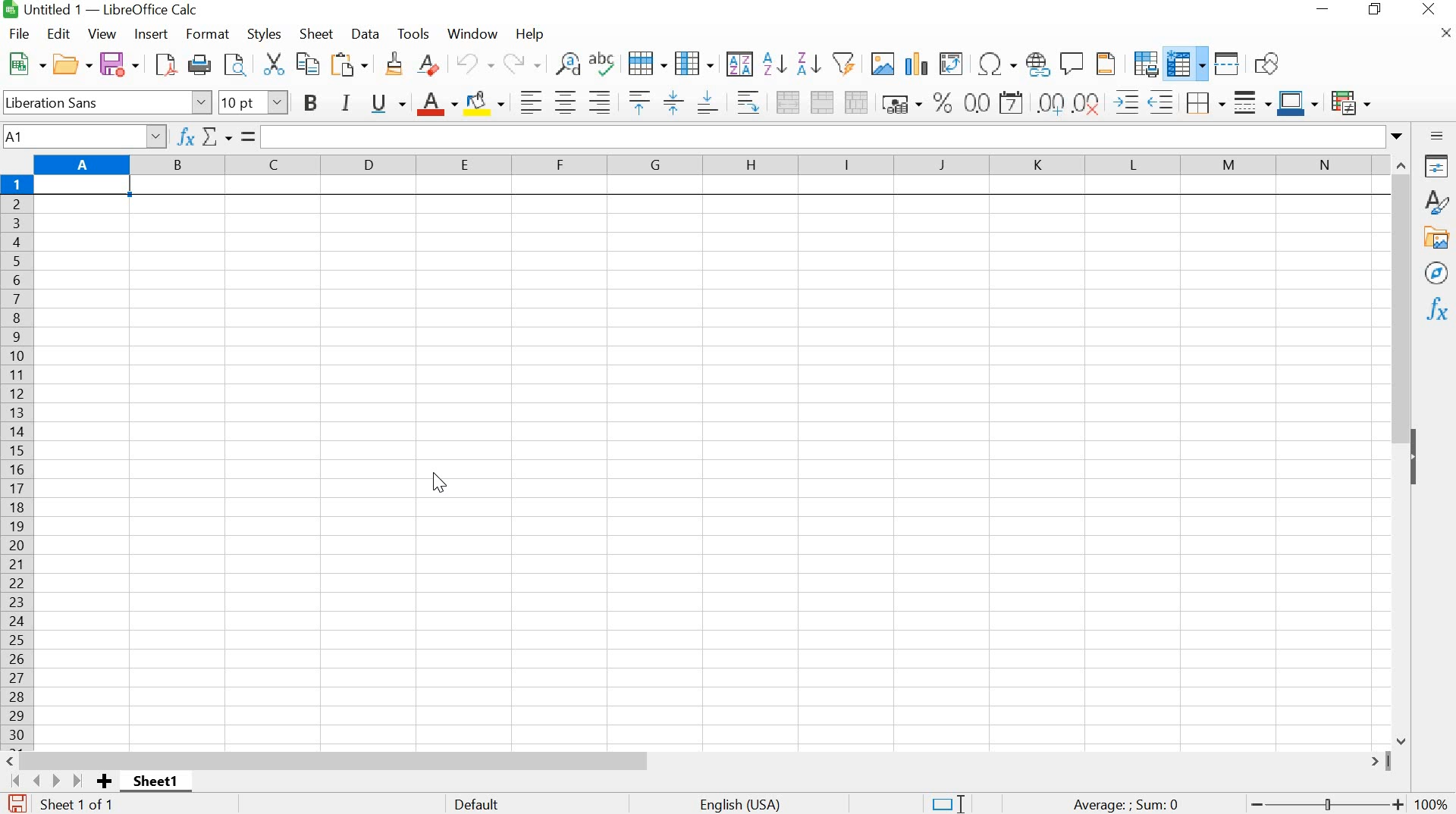  I want to click on PROPERTIES, so click(1437, 166).